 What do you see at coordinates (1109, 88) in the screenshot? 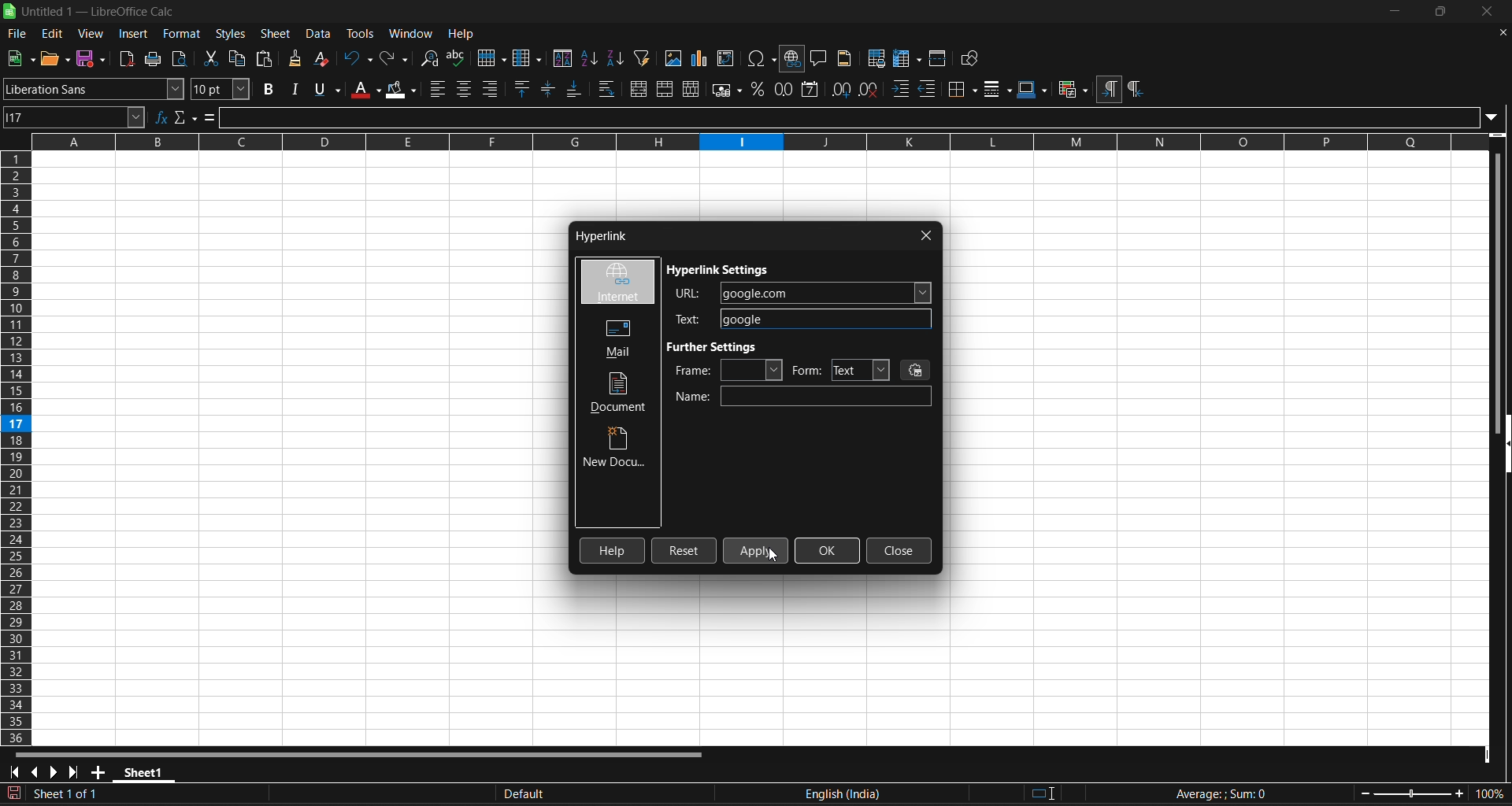
I see `left to right` at bounding box center [1109, 88].